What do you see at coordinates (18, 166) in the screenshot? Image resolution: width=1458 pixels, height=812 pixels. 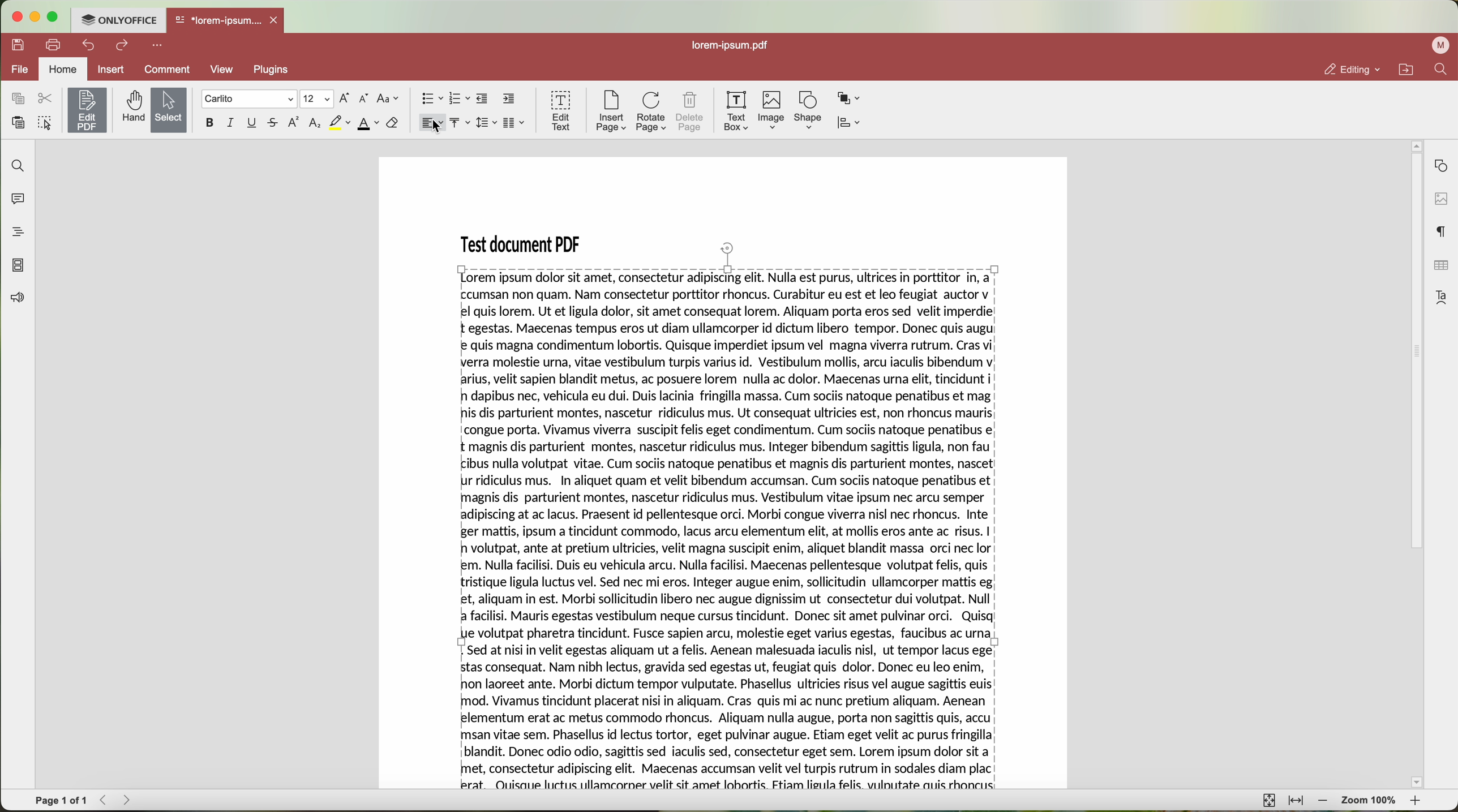 I see `find` at bounding box center [18, 166].